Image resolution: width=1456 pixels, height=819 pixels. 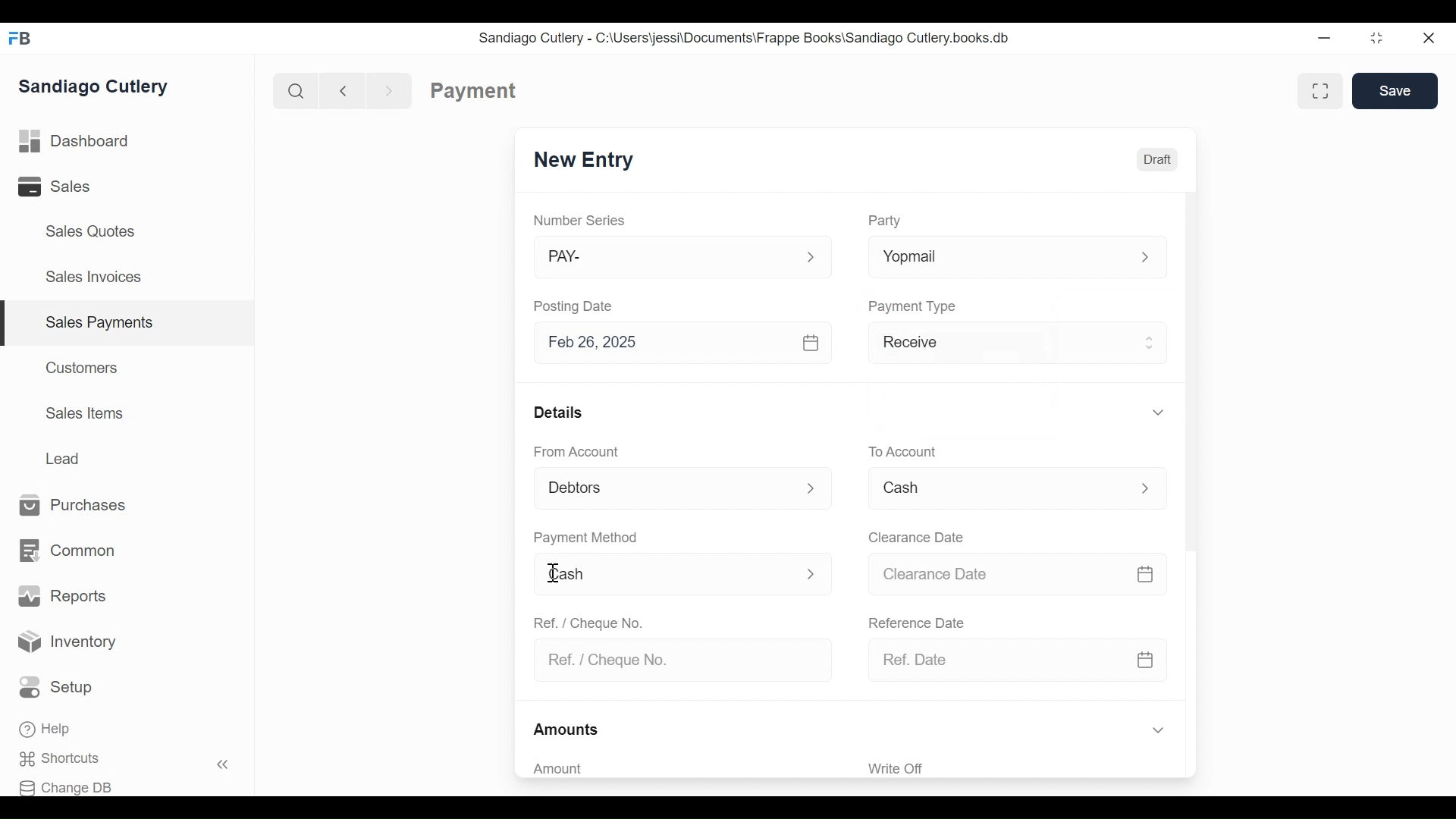 What do you see at coordinates (884, 221) in the screenshot?
I see `Party` at bounding box center [884, 221].